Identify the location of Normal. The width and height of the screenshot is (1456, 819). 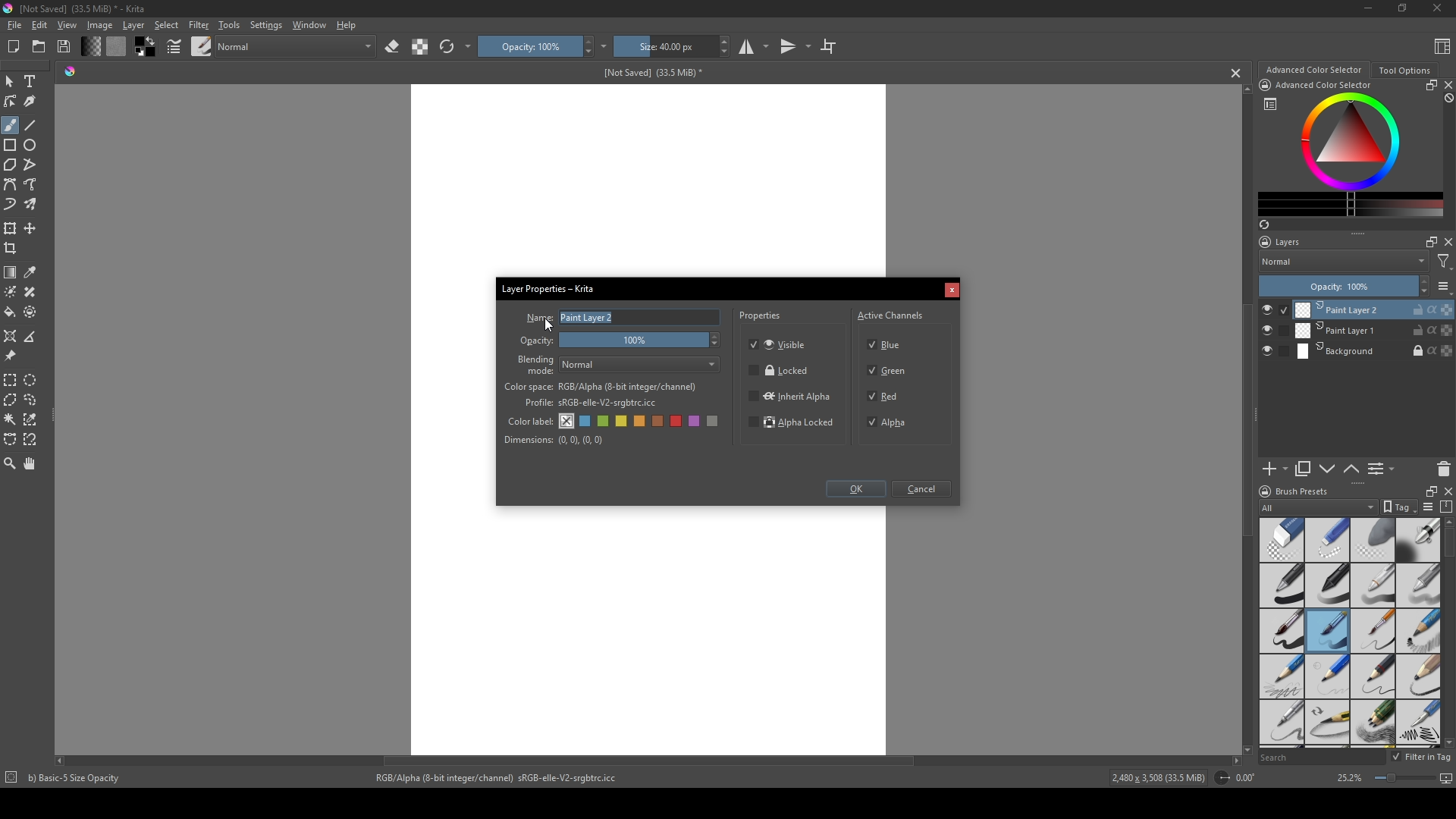
(641, 365).